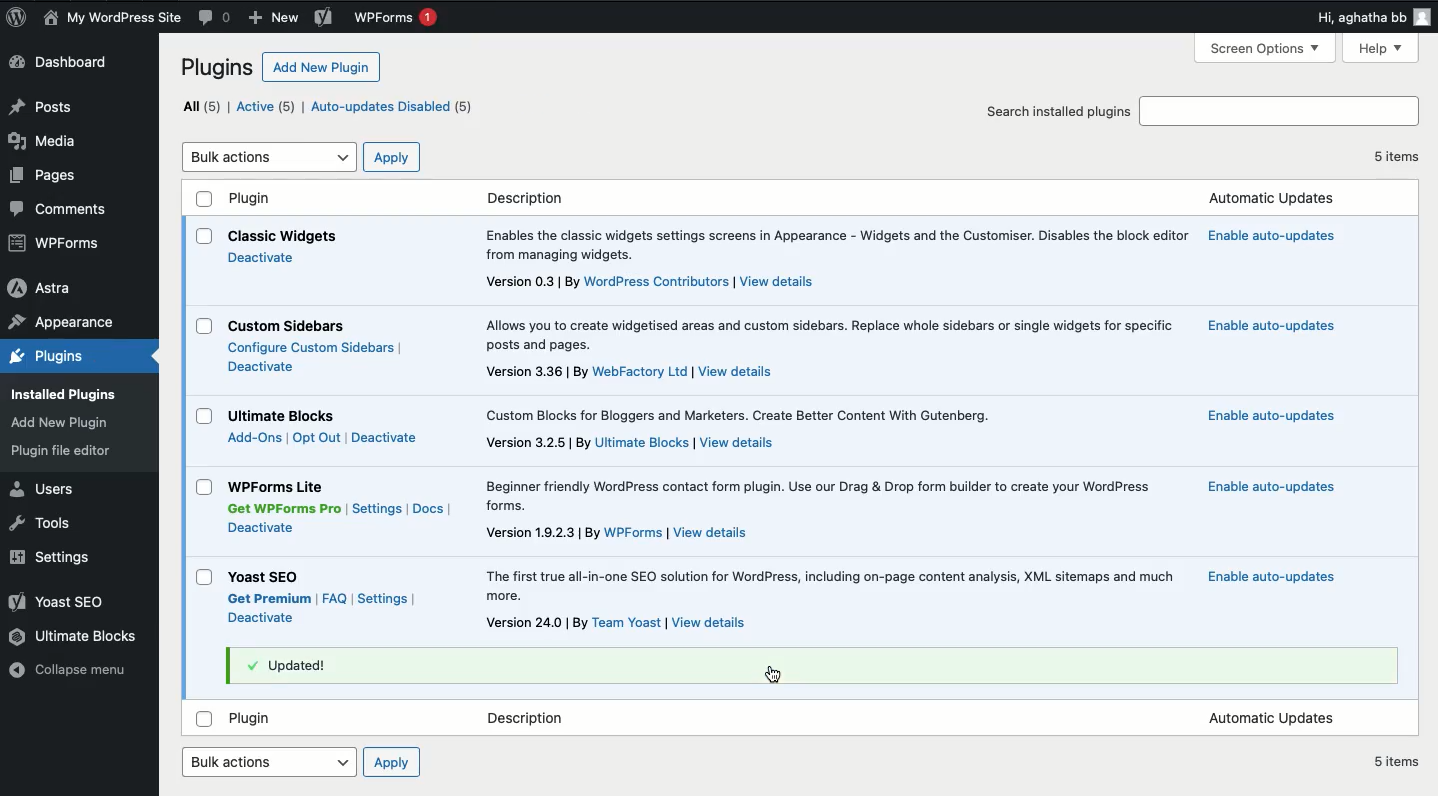 The height and width of the screenshot is (796, 1438). Describe the element at coordinates (428, 510) in the screenshot. I see `Docs` at that location.